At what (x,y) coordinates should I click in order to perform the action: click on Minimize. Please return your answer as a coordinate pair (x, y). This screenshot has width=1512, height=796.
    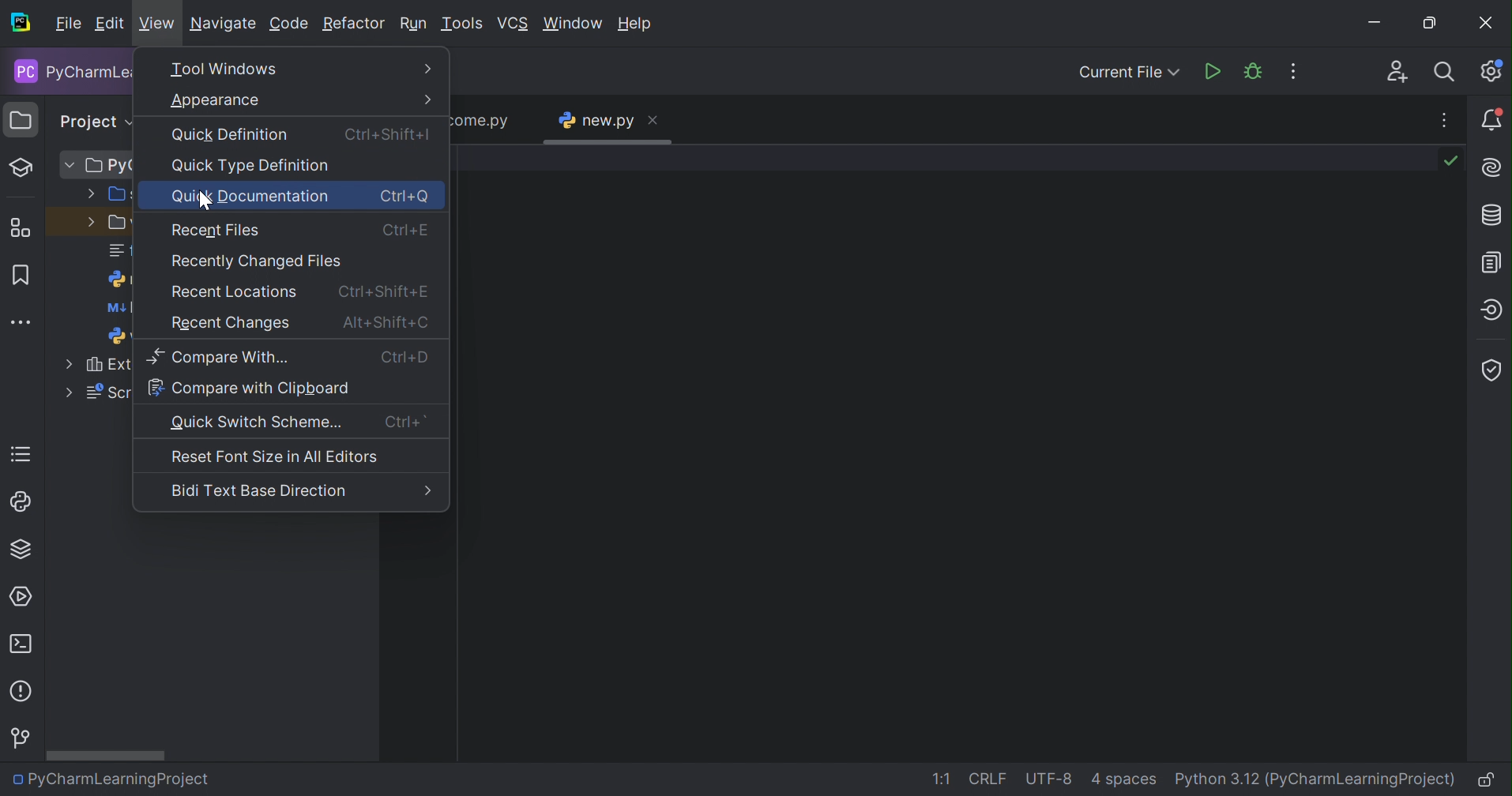
    Looking at the image, I should click on (1377, 22).